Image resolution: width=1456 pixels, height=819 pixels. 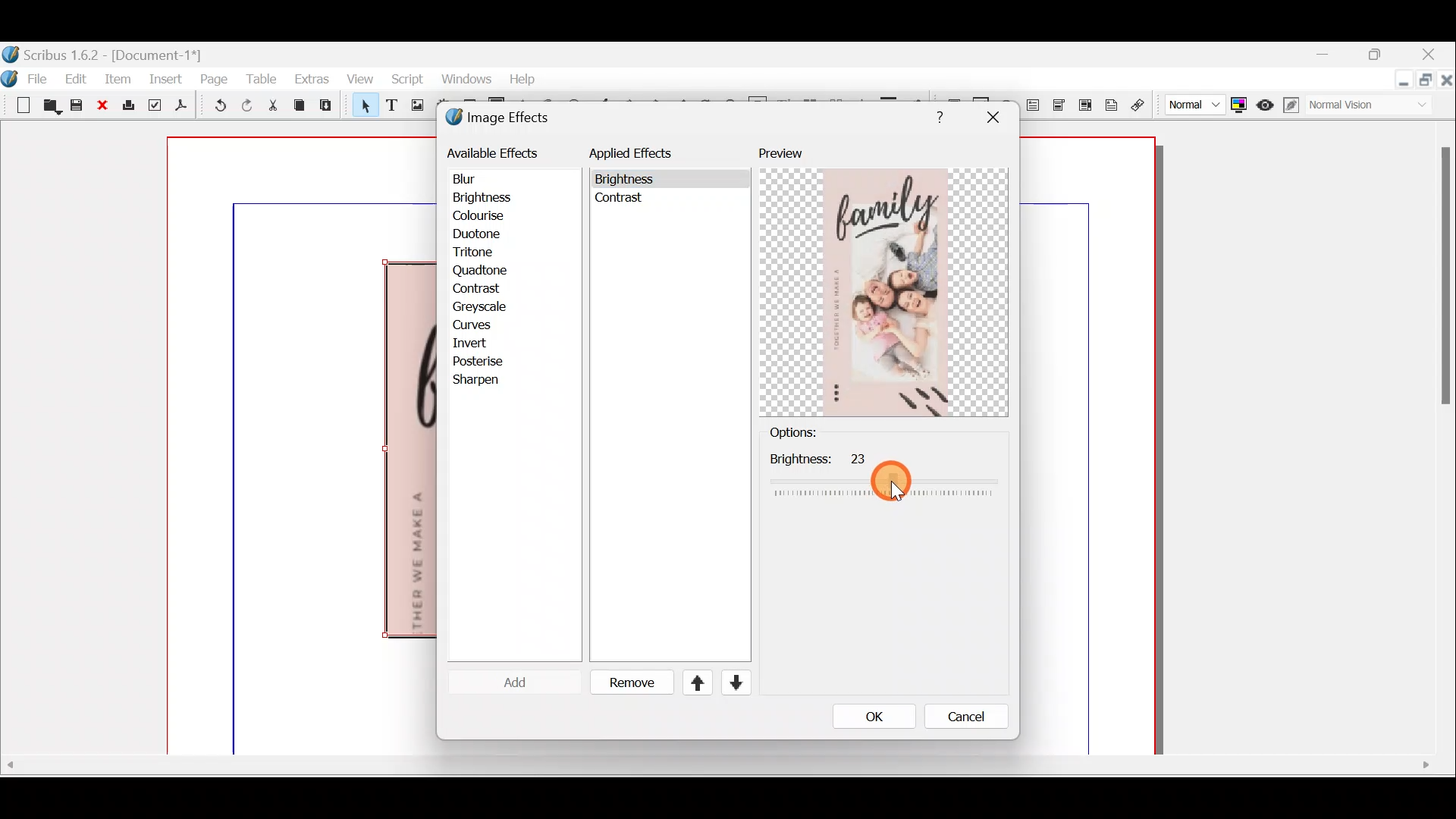 I want to click on Available effects, so click(x=495, y=152).